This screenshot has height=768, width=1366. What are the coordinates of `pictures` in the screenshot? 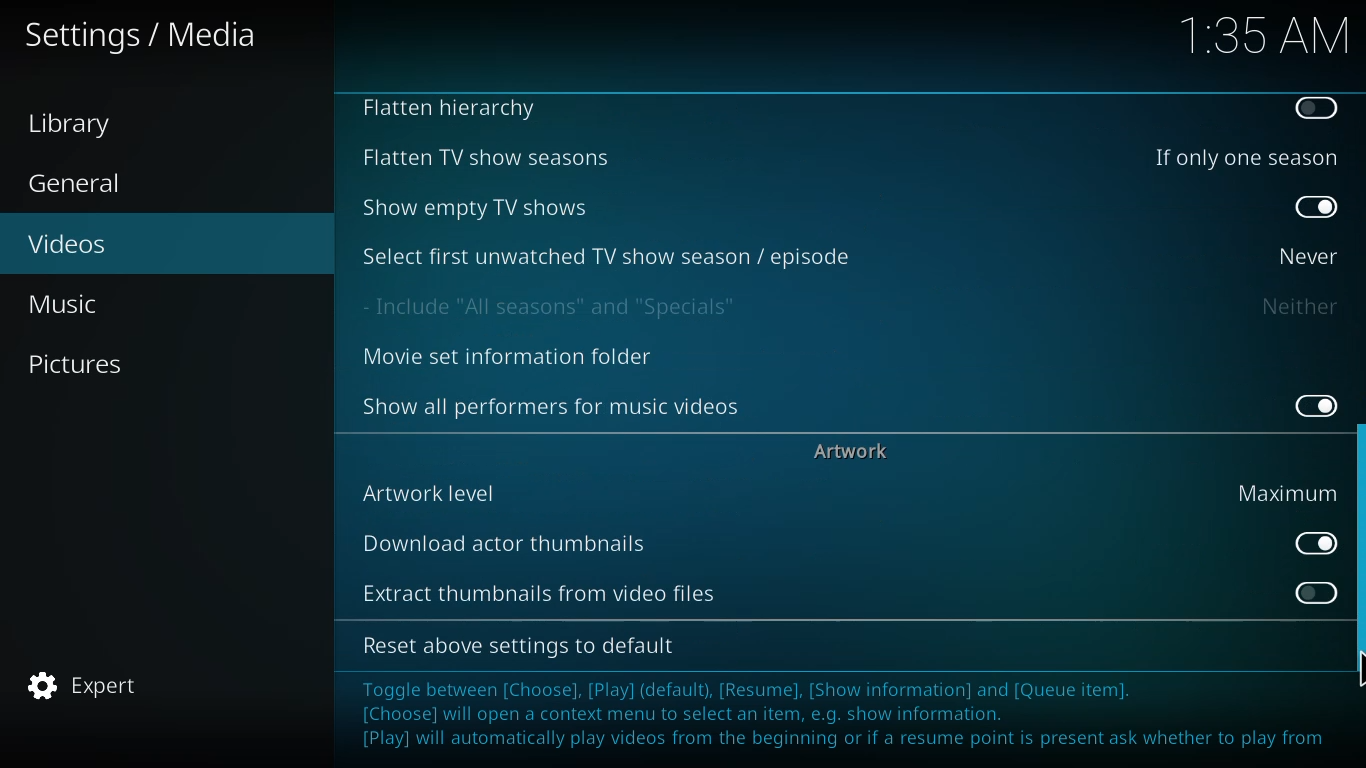 It's located at (79, 363).